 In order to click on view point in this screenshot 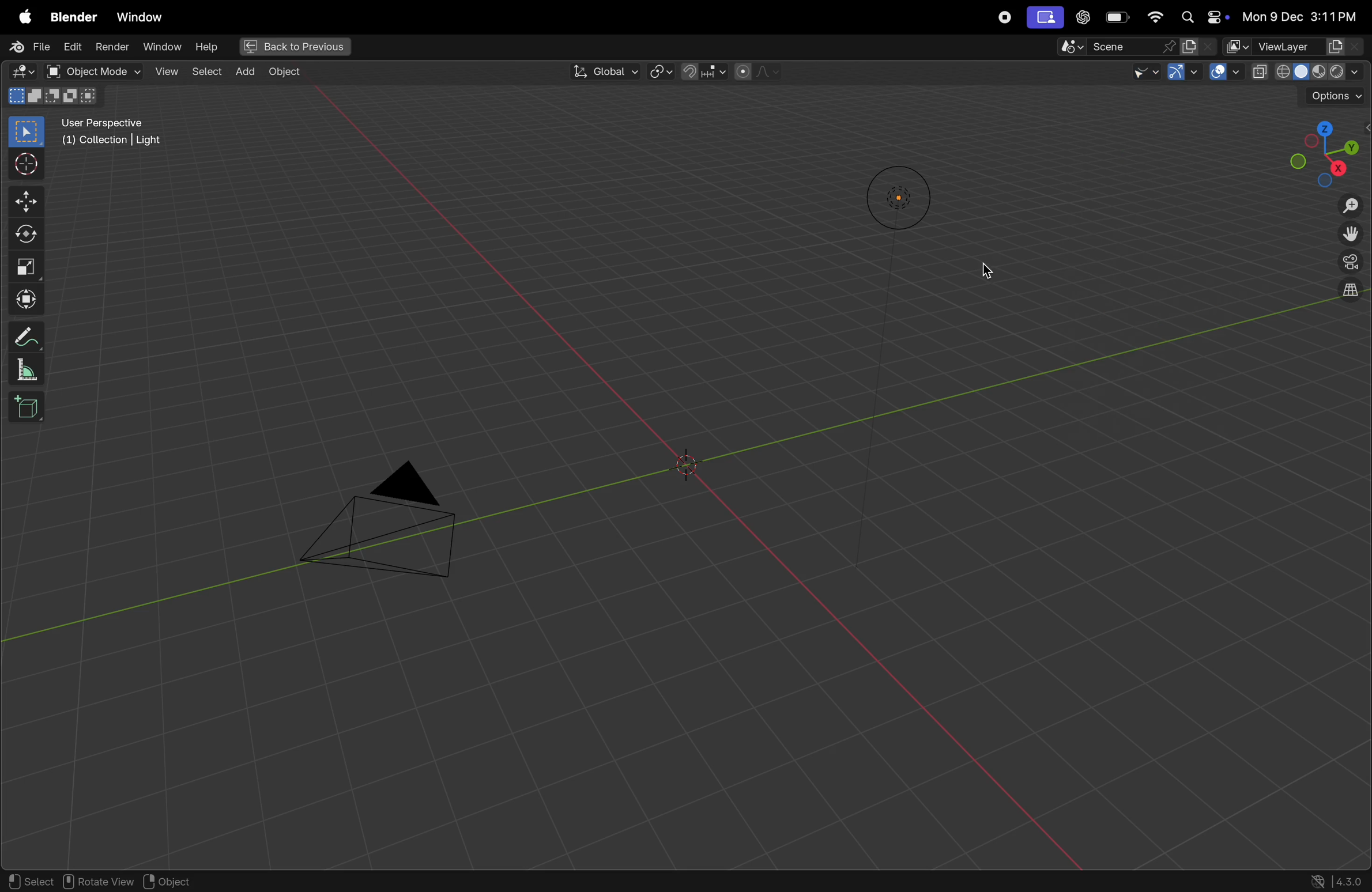, I will do `click(1321, 148)`.